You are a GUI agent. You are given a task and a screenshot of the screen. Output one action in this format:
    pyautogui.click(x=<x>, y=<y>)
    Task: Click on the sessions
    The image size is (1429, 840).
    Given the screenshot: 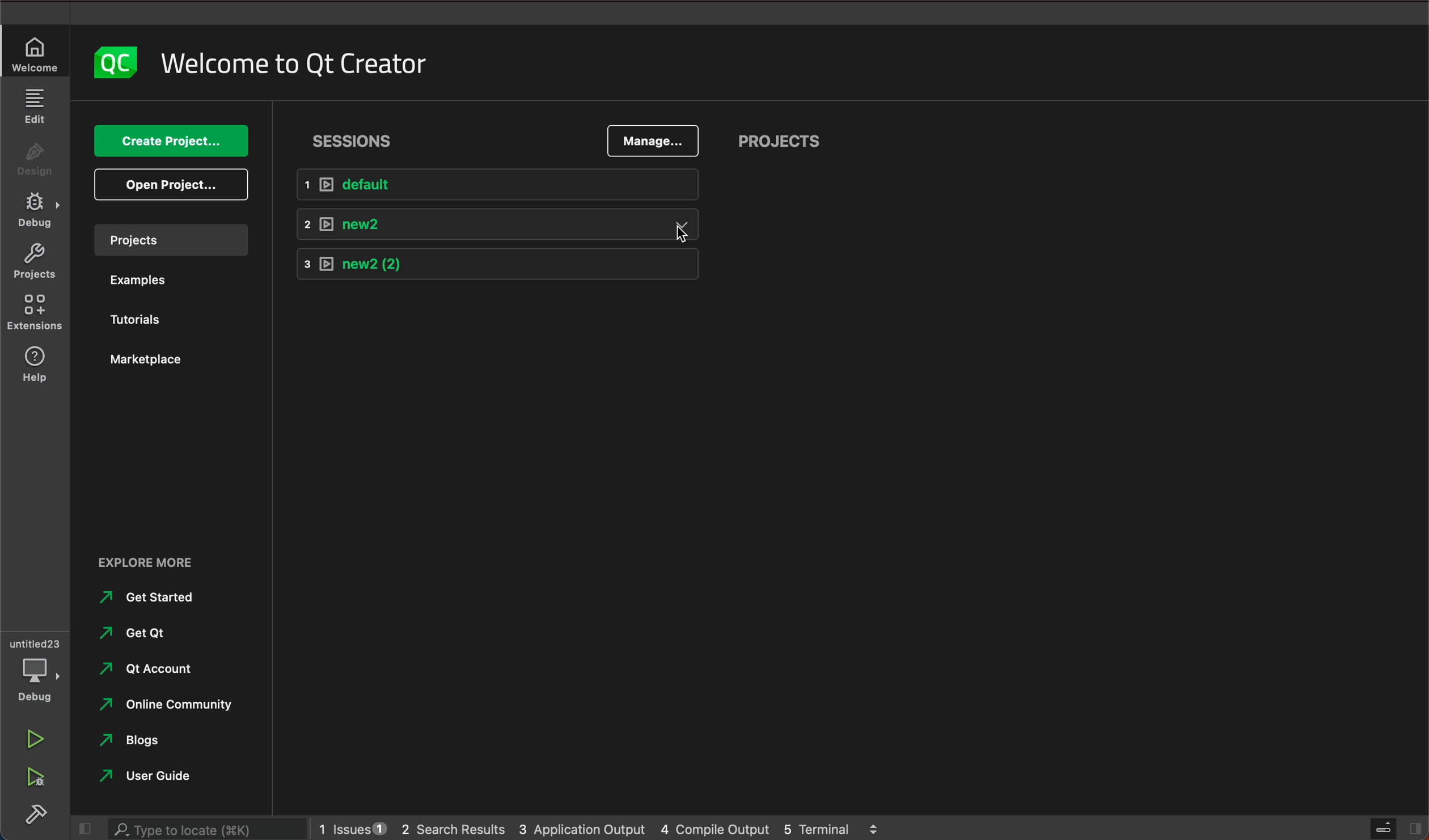 What is the action you would take?
    pyautogui.click(x=358, y=139)
    